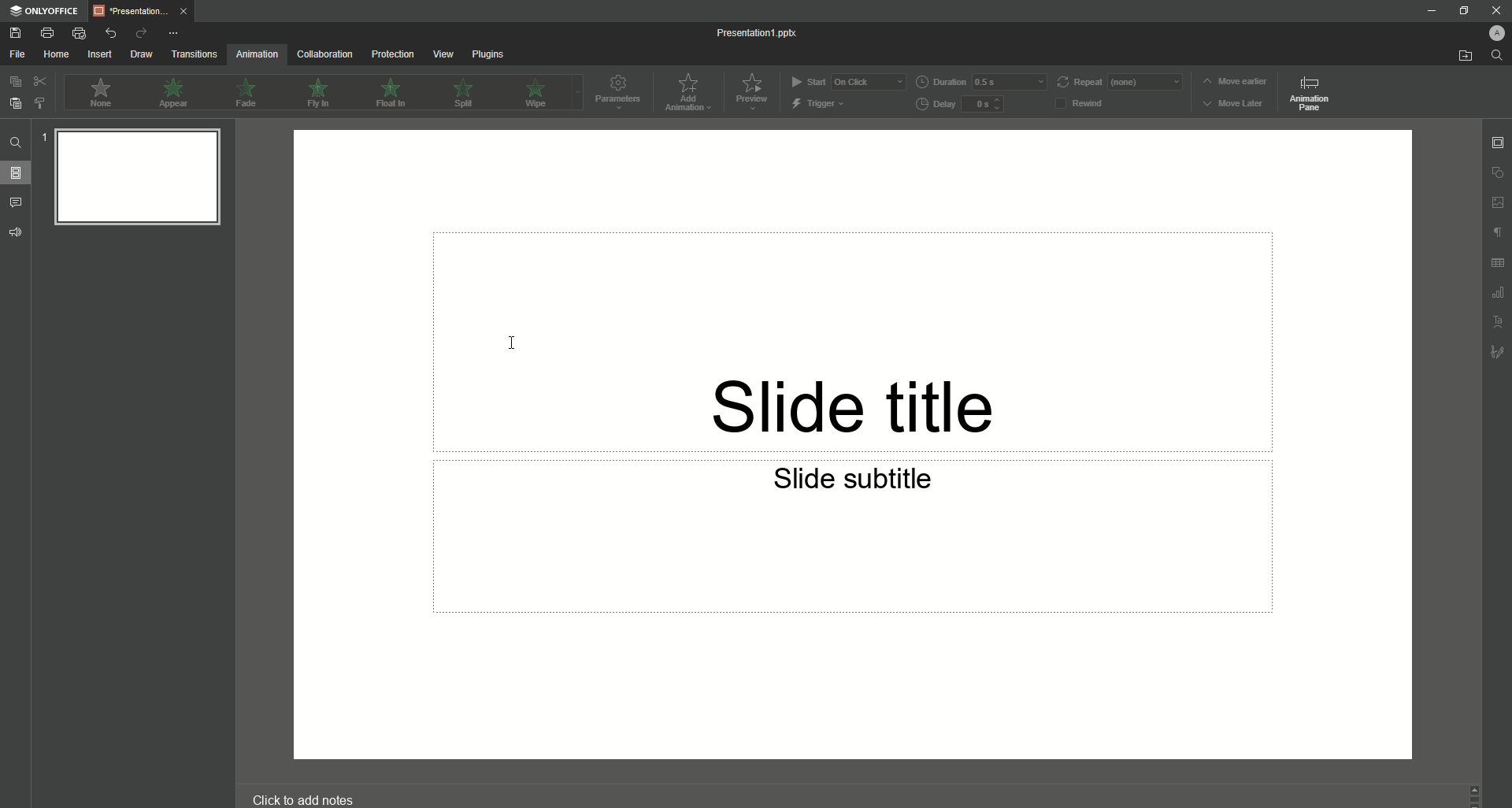 The width and height of the screenshot is (1512, 808). I want to click on Paragraph Settings, so click(1496, 235).